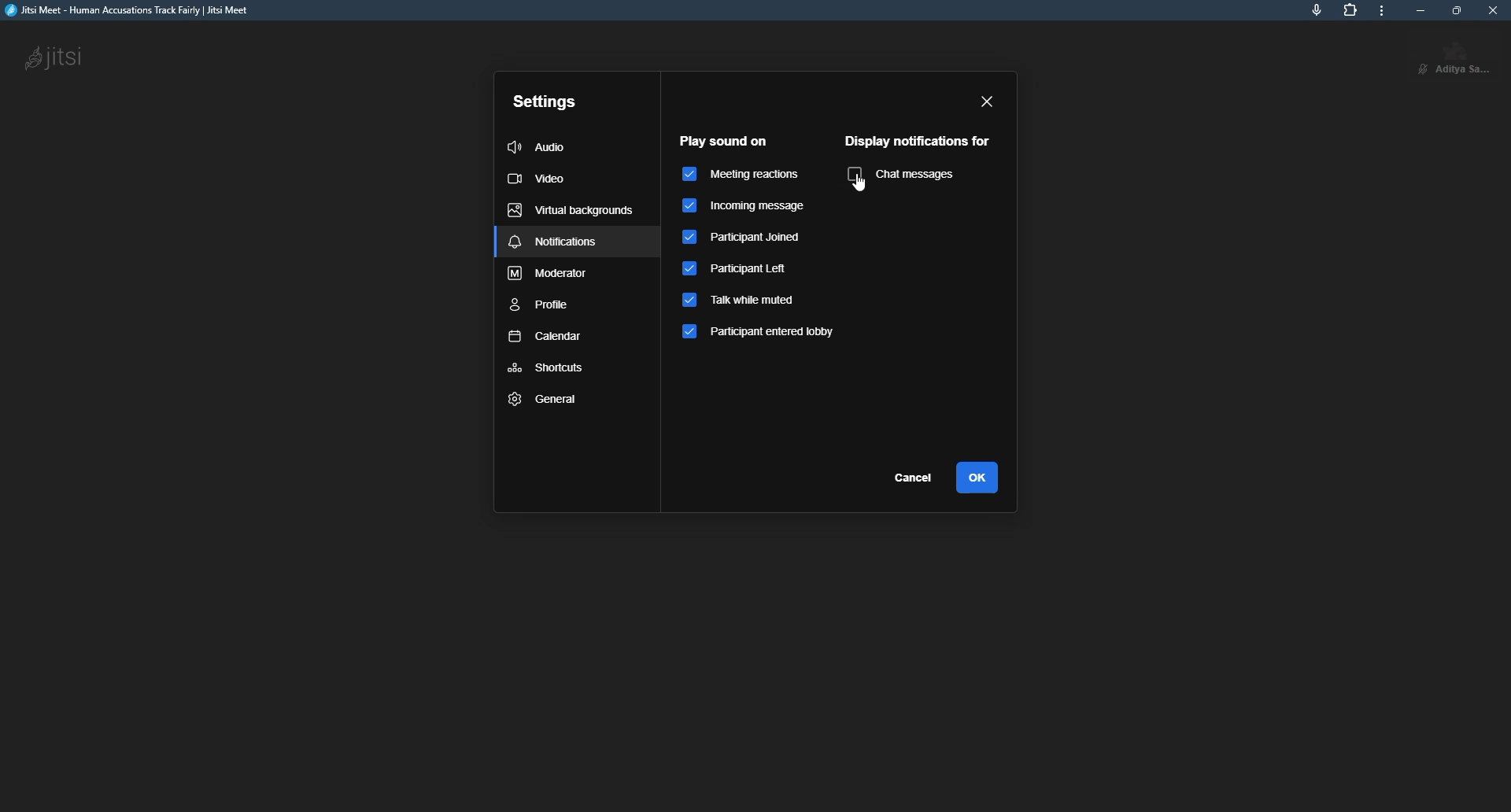 The height and width of the screenshot is (812, 1511). What do you see at coordinates (536, 178) in the screenshot?
I see `video` at bounding box center [536, 178].